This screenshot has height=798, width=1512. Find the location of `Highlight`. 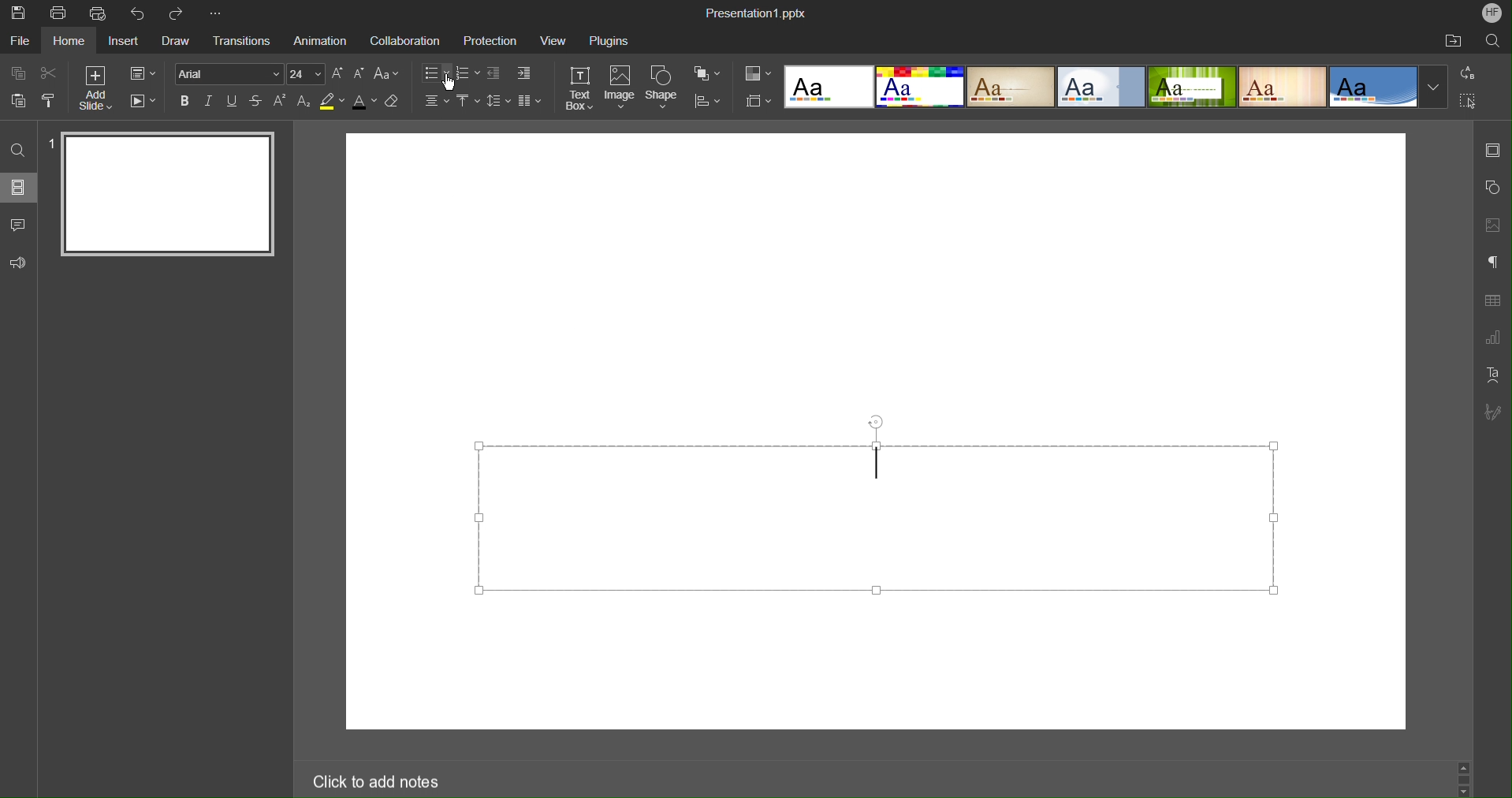

Highlight is located at coordinates (330, 103).